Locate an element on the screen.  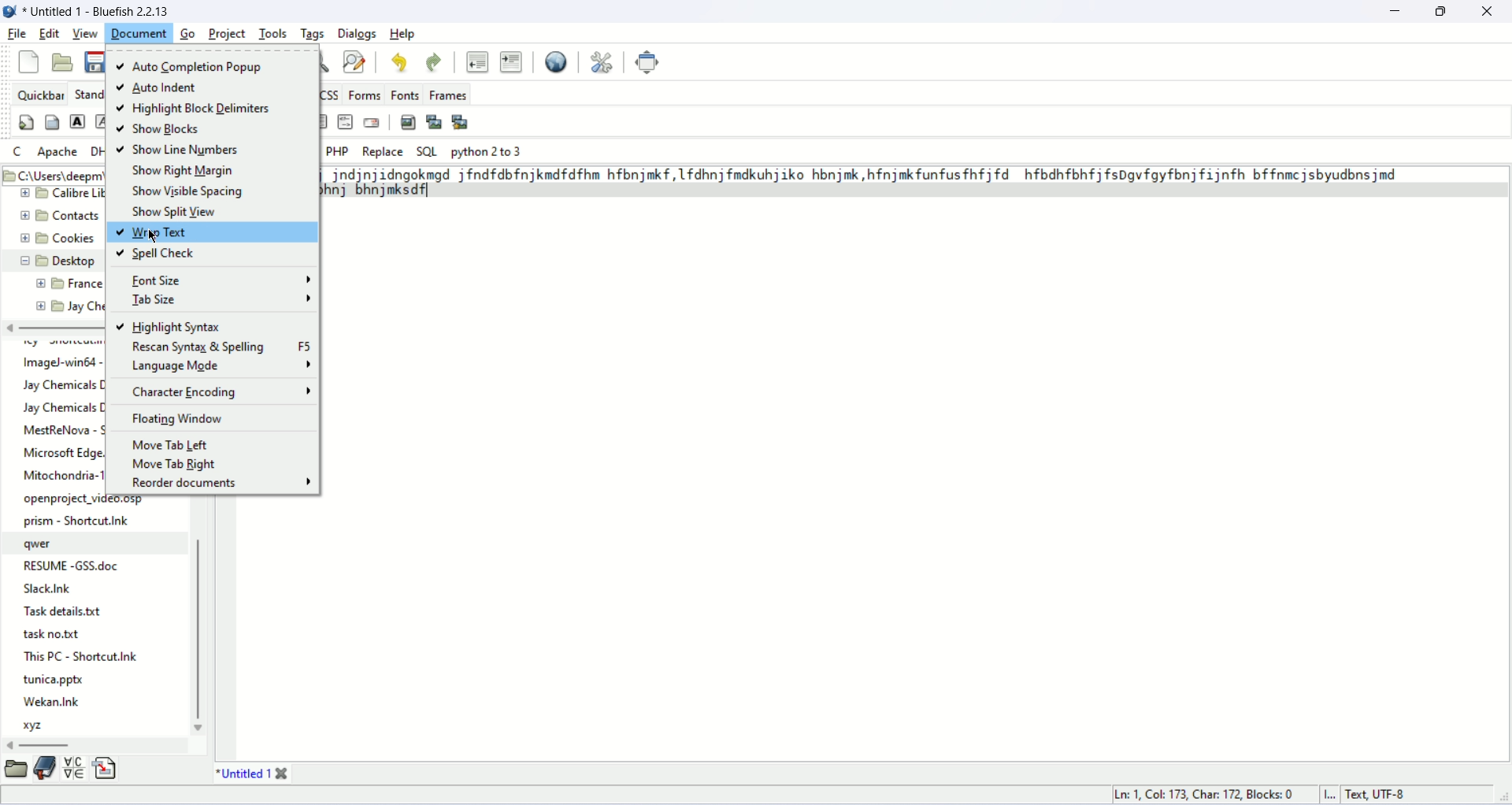
Replace is located at coordinates (382, 151).